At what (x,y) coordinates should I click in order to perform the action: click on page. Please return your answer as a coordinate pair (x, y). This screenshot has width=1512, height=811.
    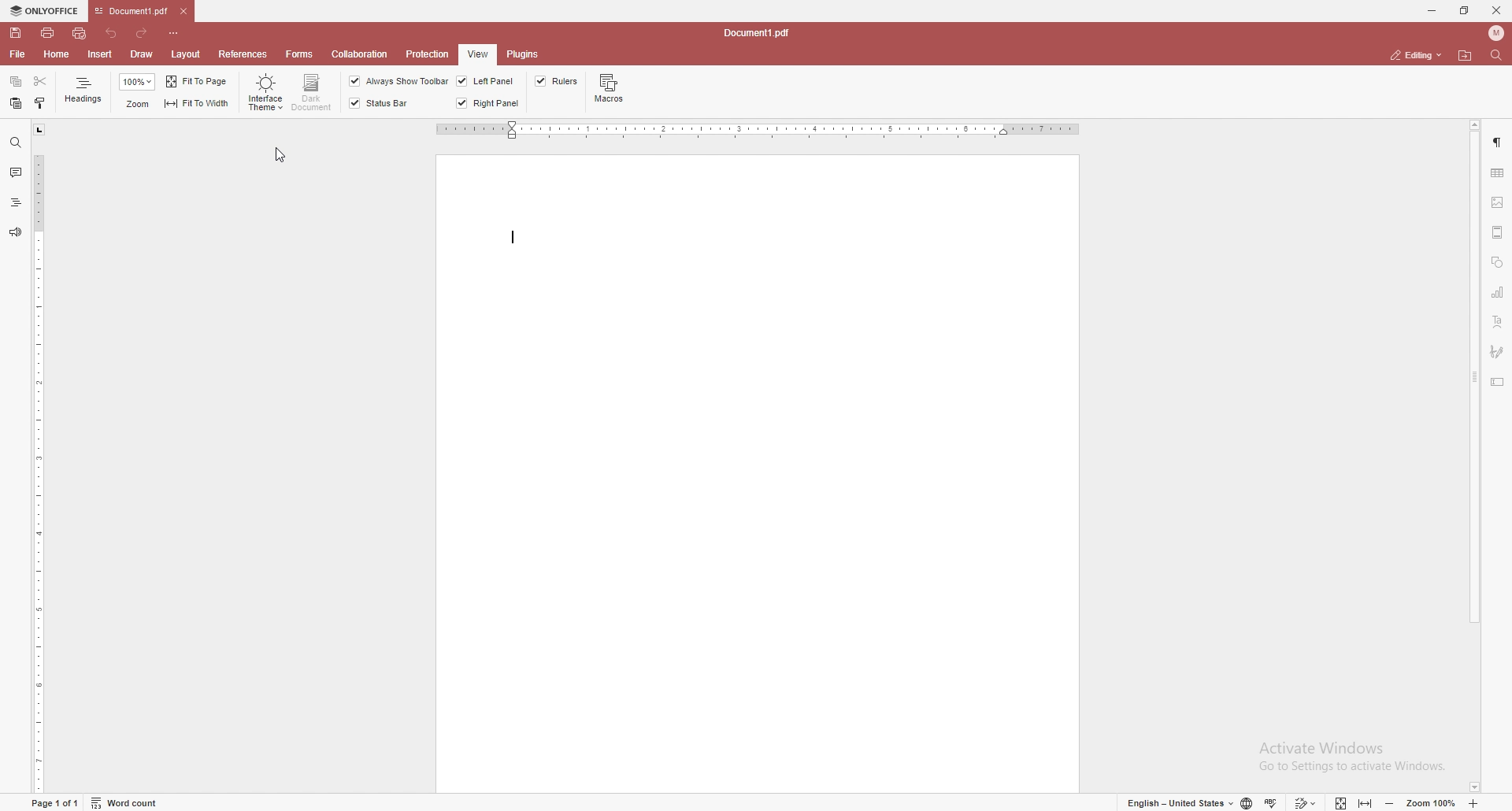
    Looking at the image, I should click on (57, 802).